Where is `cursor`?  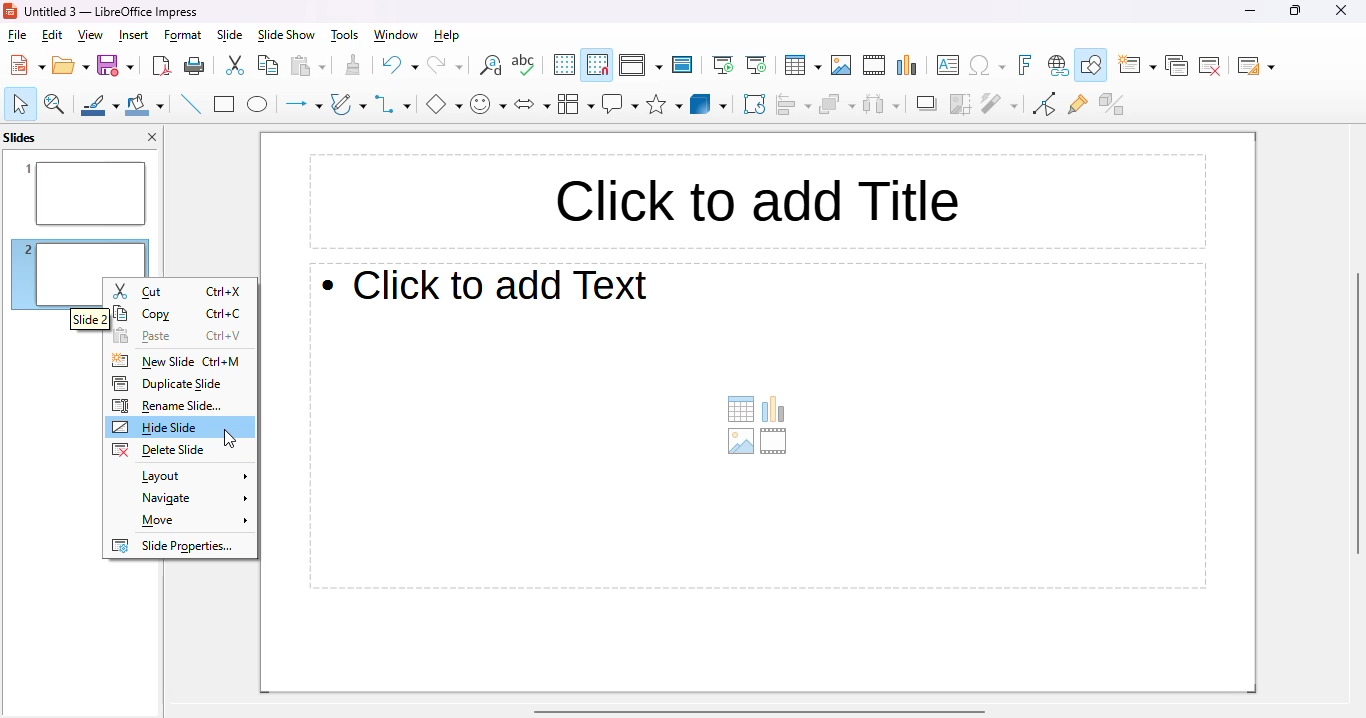
cursor is located at coordinates (232, 439).